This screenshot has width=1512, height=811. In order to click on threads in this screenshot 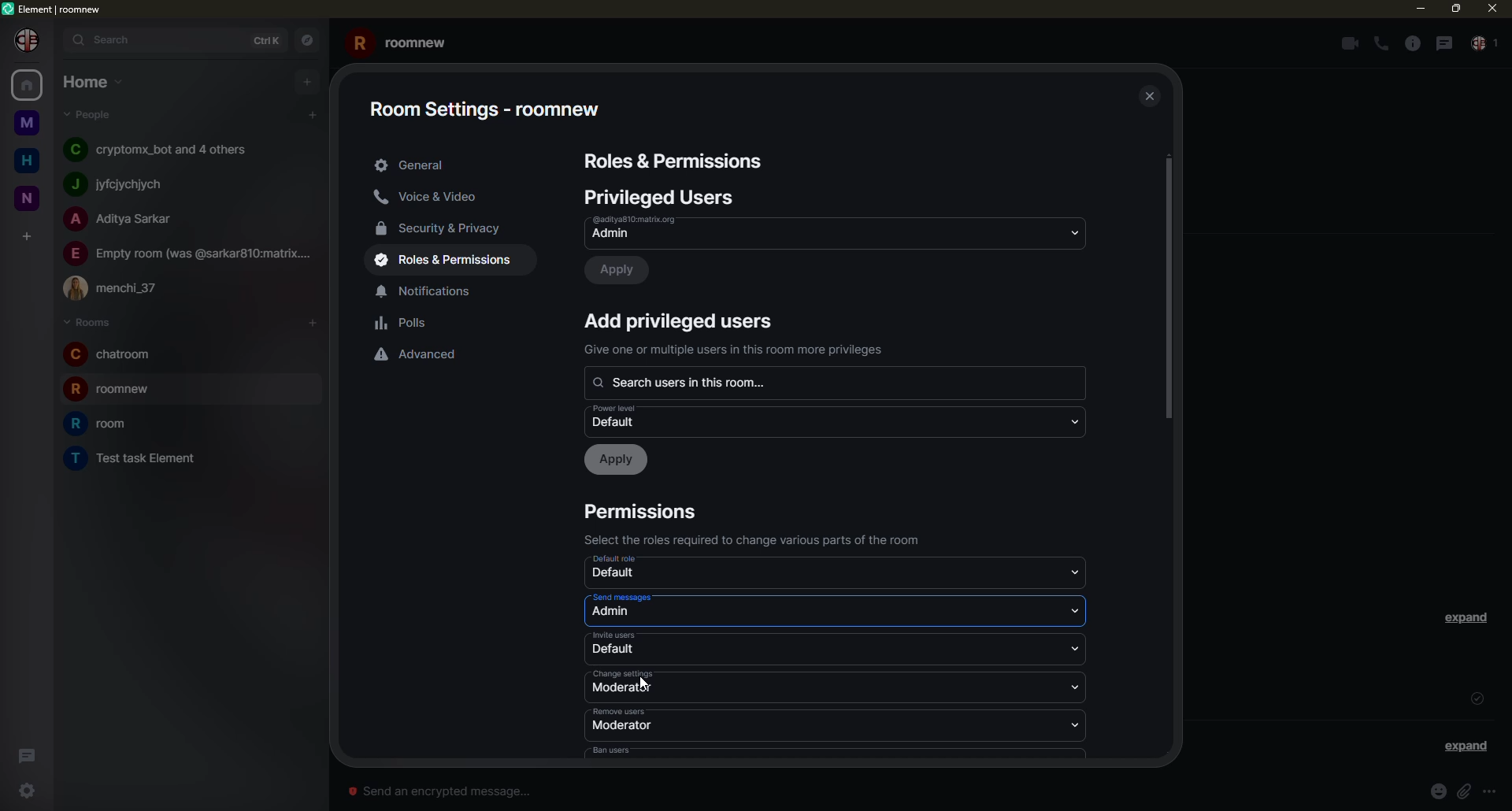, I will do `click(1443, 43)`.